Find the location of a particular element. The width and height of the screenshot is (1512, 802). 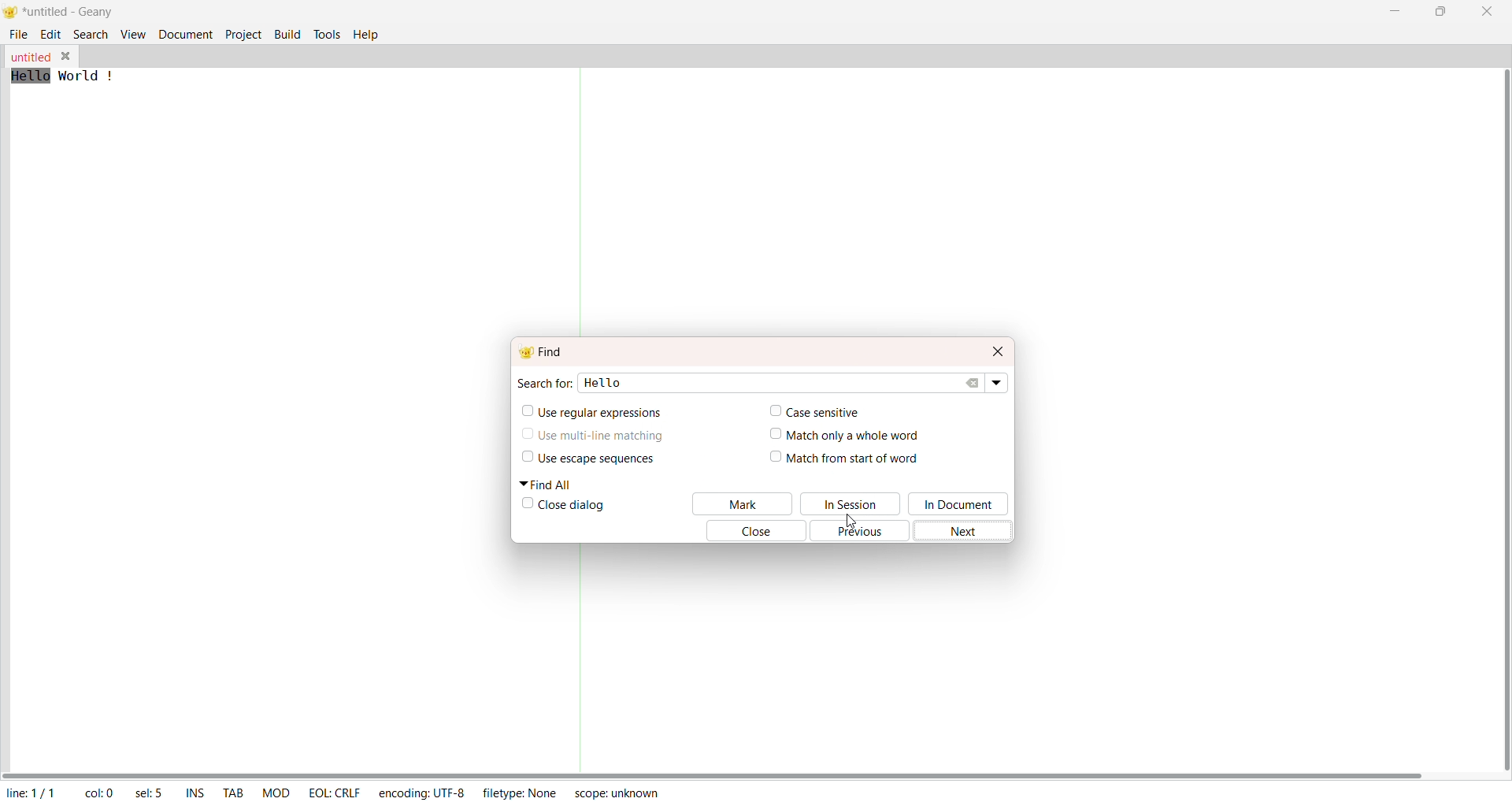

Close Dialog Box is located at coordinates (998, 350).